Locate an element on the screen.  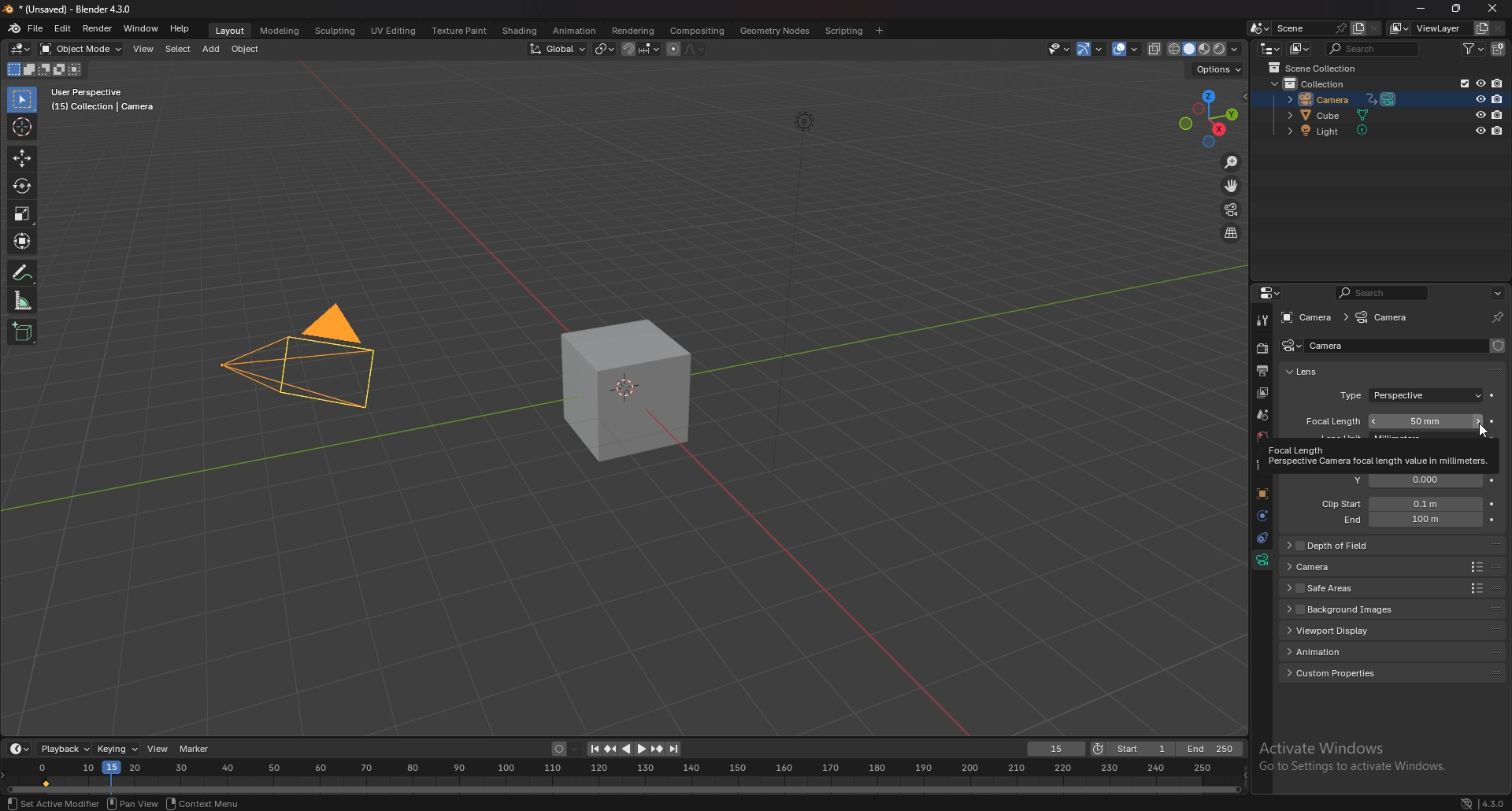
toggle xray is located at coordinates (1155, 49).